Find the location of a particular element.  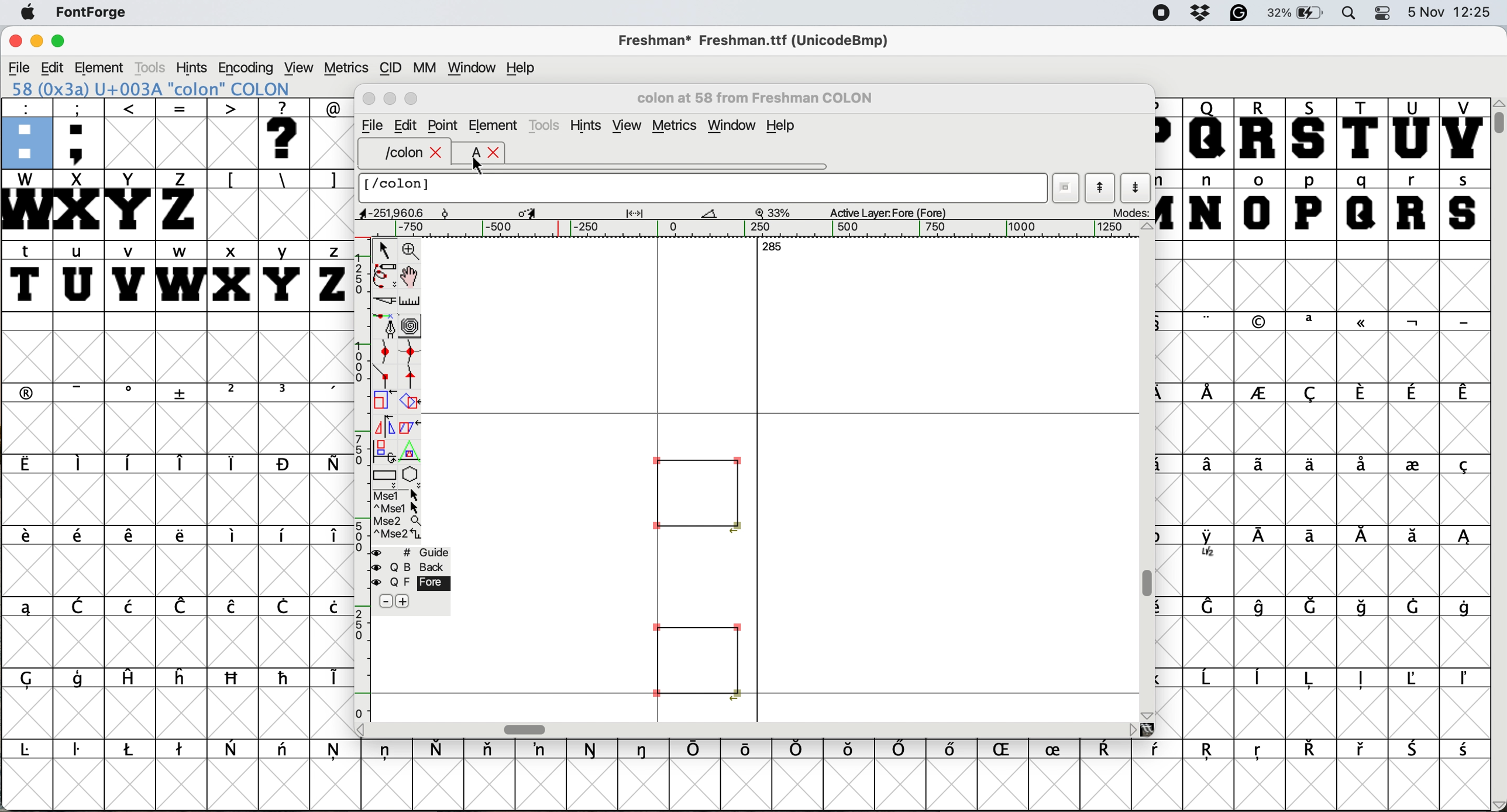

cut splines in two is located at coordinates (383, 300).